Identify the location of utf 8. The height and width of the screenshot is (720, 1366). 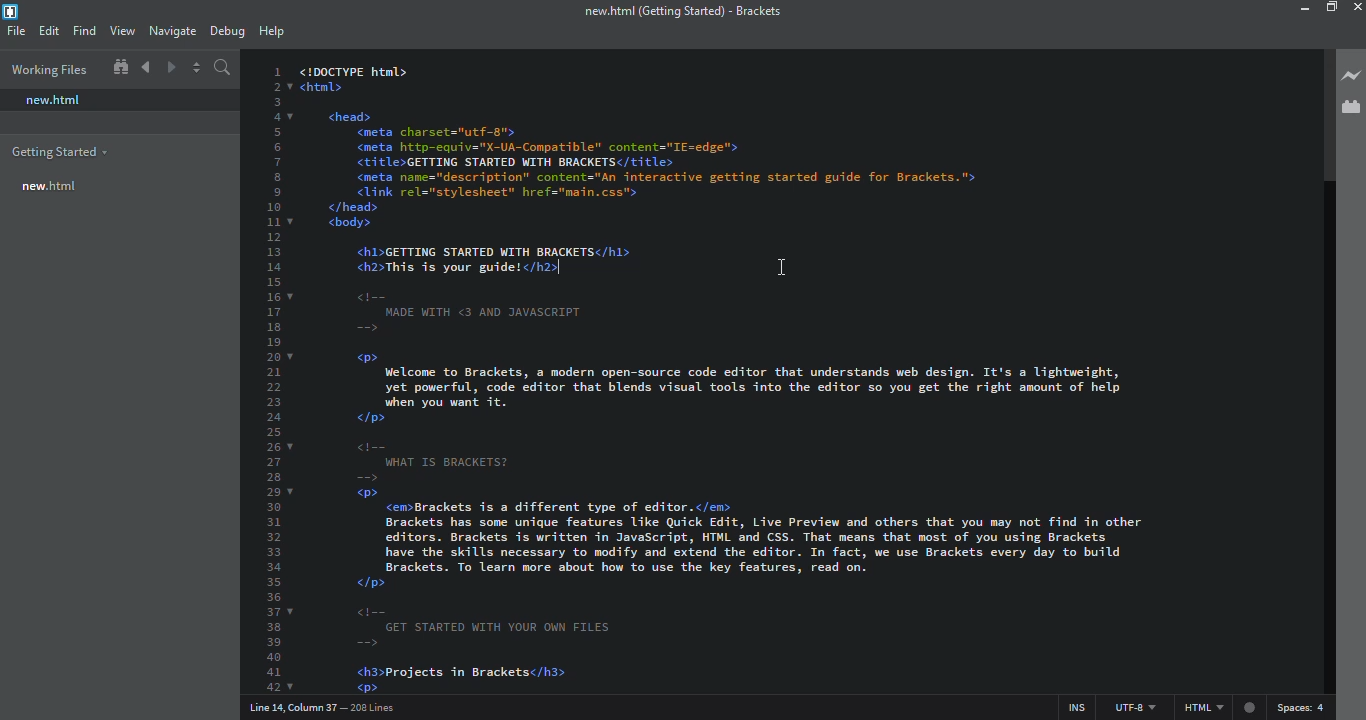
(1132, 707).